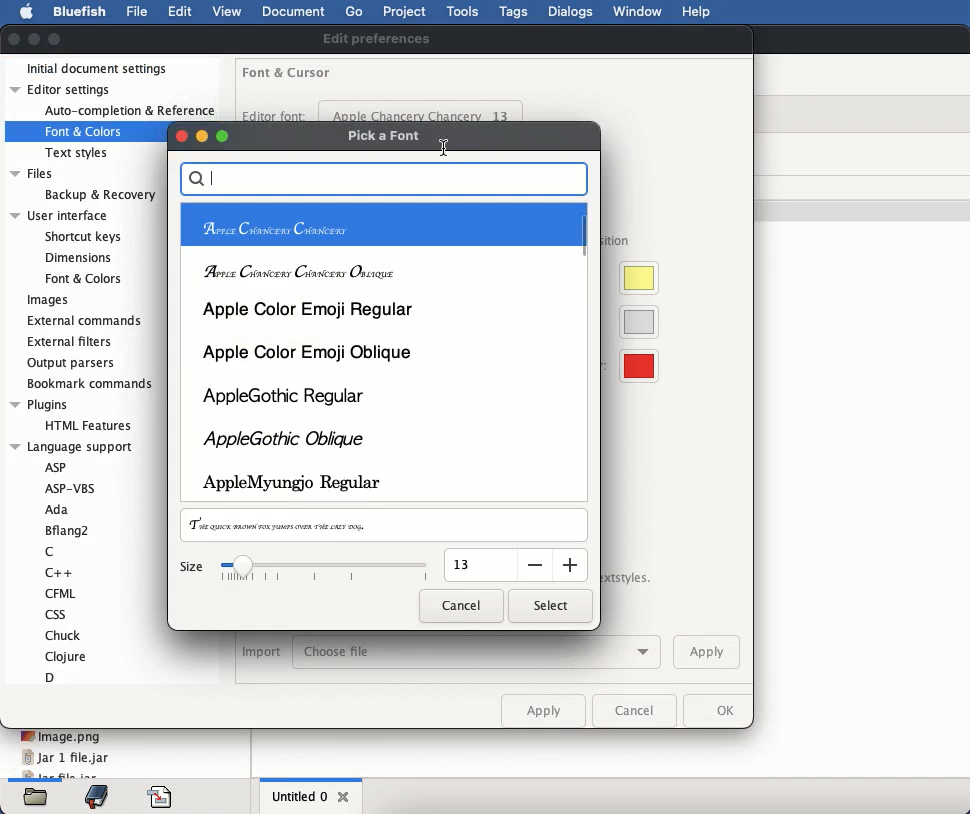 The image size is (970, 814). Describe the element at coordinates (162, 797) in the screenshot. I see `code` at that location.